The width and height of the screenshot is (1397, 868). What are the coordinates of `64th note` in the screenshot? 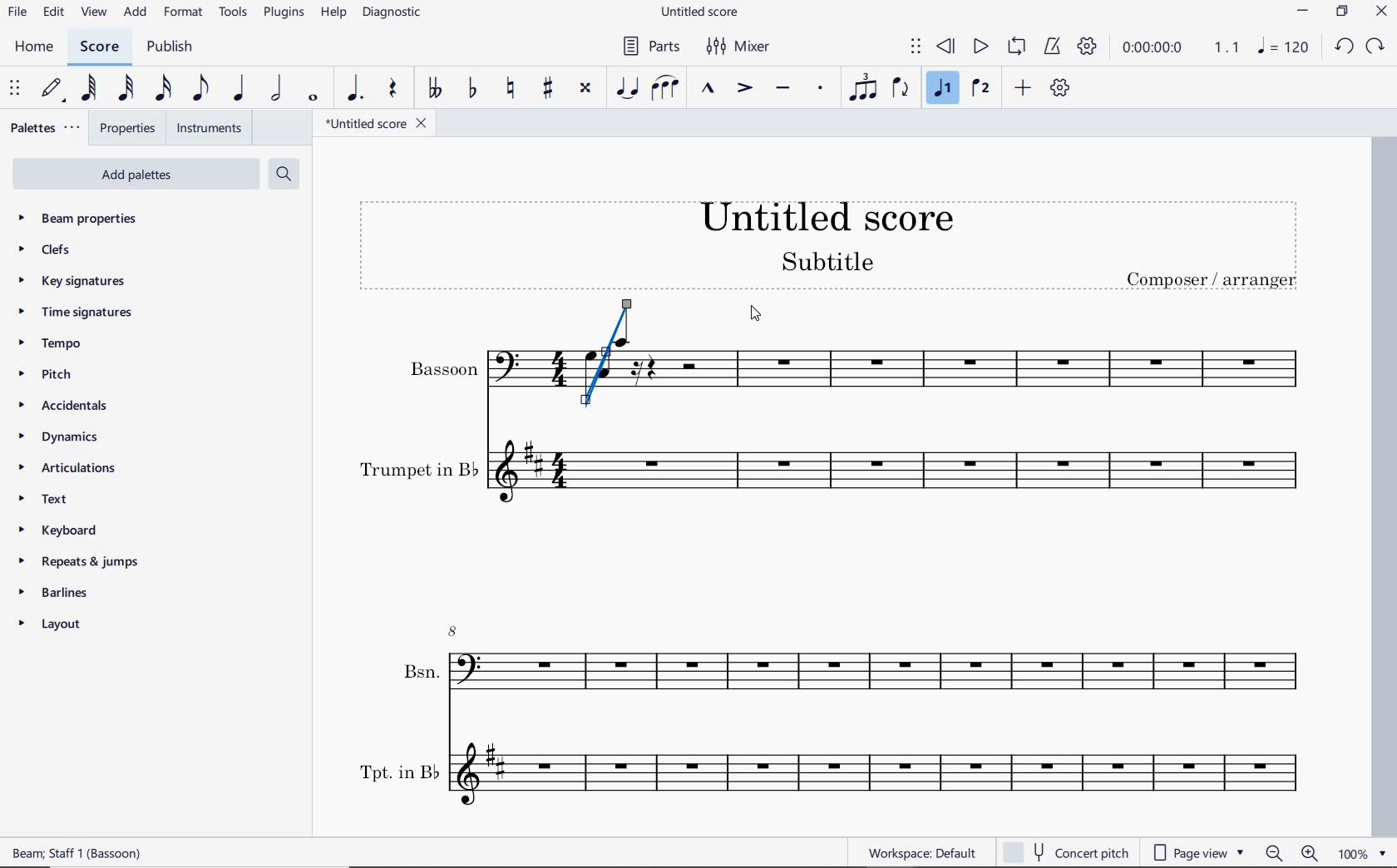 It's located at (90, 89).